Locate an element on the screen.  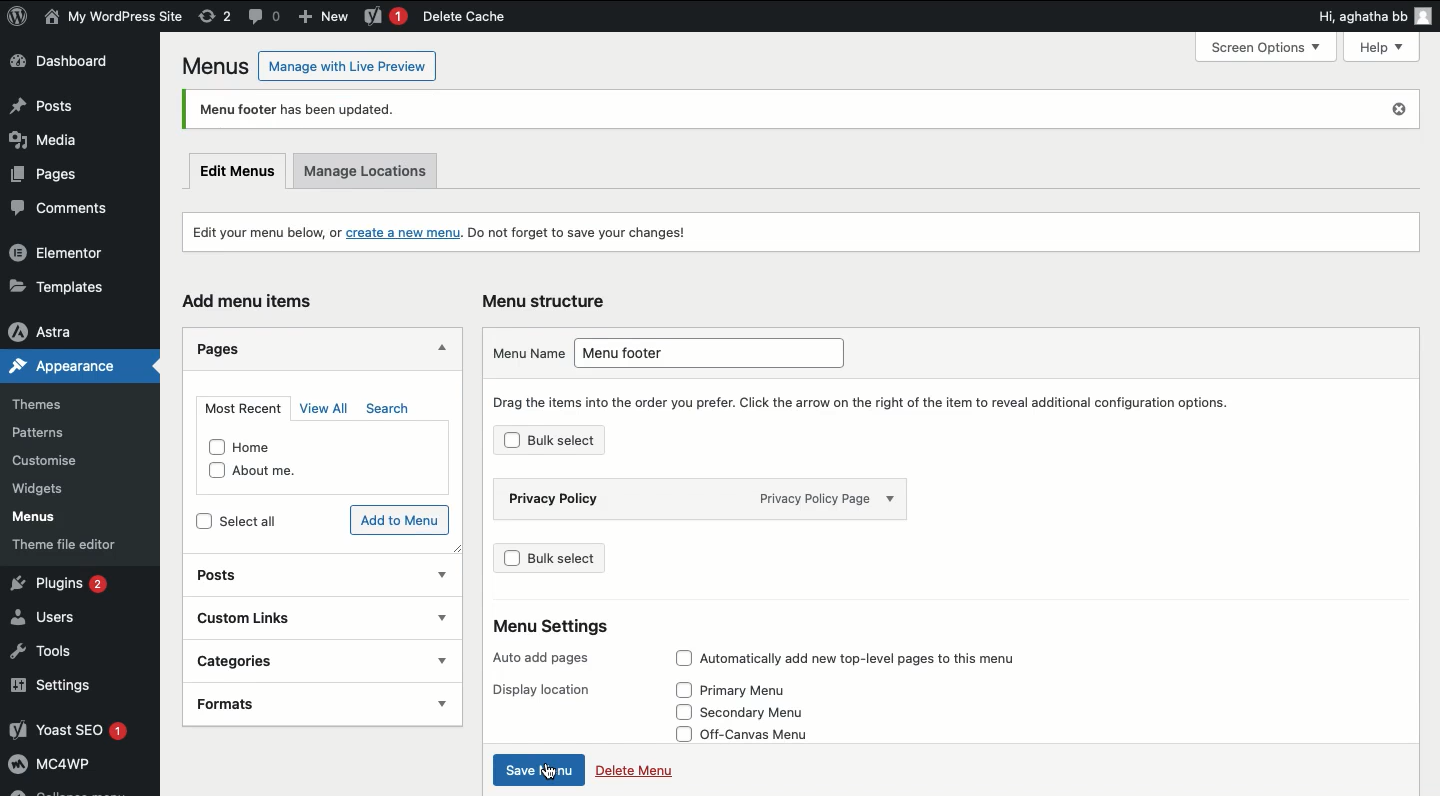
Bulk select is located at coordinates (585, 443).